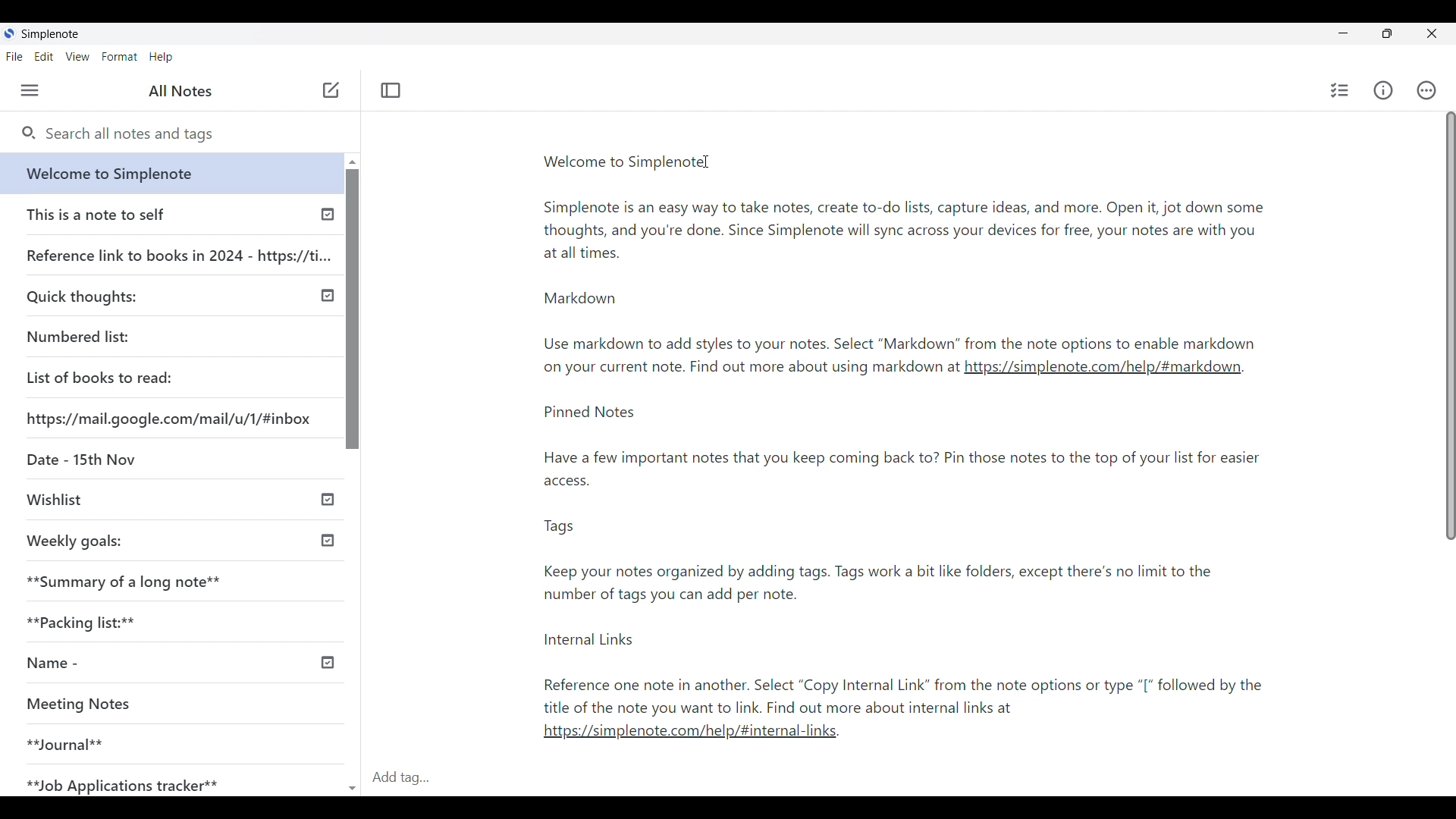  What do you see at coordinates (326, 296) in the screenshot?
I see `Check icon indicates published notes` at bounding box center [326, 296].